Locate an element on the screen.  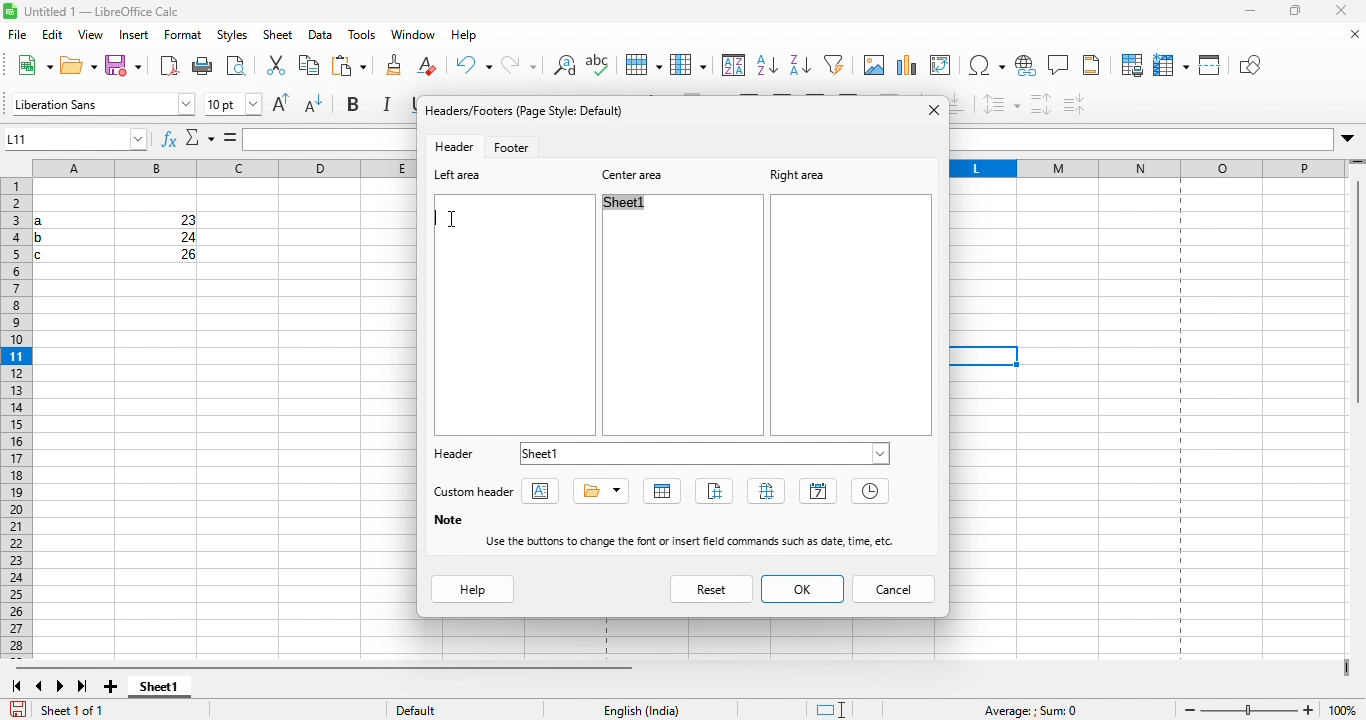
horizontal scroll bar is located at coordinates (323, 662).